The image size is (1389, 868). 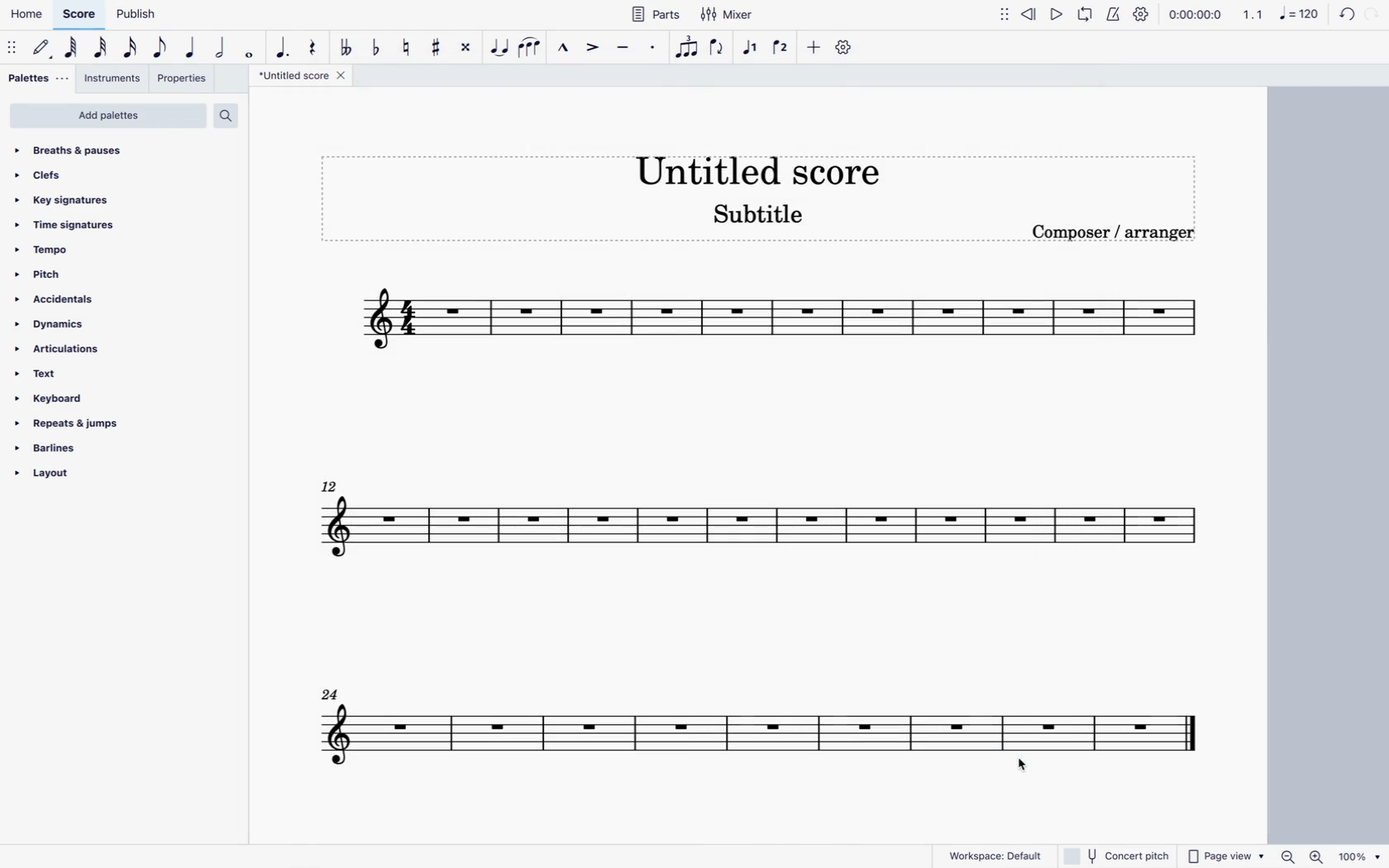 I want to click on slur, so click(x=532, y=51).